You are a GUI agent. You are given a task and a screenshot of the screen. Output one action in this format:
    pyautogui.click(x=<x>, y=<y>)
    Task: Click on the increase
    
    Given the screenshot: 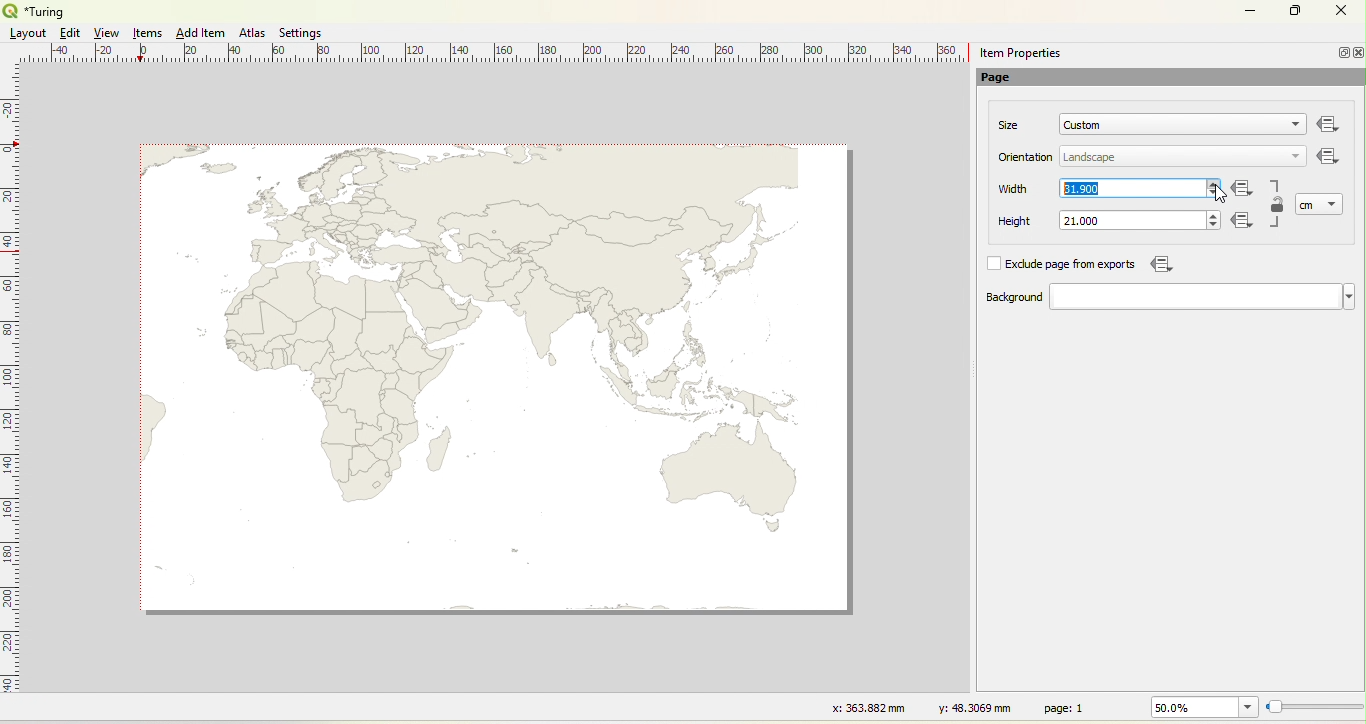 What is the action you would take?
    pyautogui.click(x=1215, y=182)
    